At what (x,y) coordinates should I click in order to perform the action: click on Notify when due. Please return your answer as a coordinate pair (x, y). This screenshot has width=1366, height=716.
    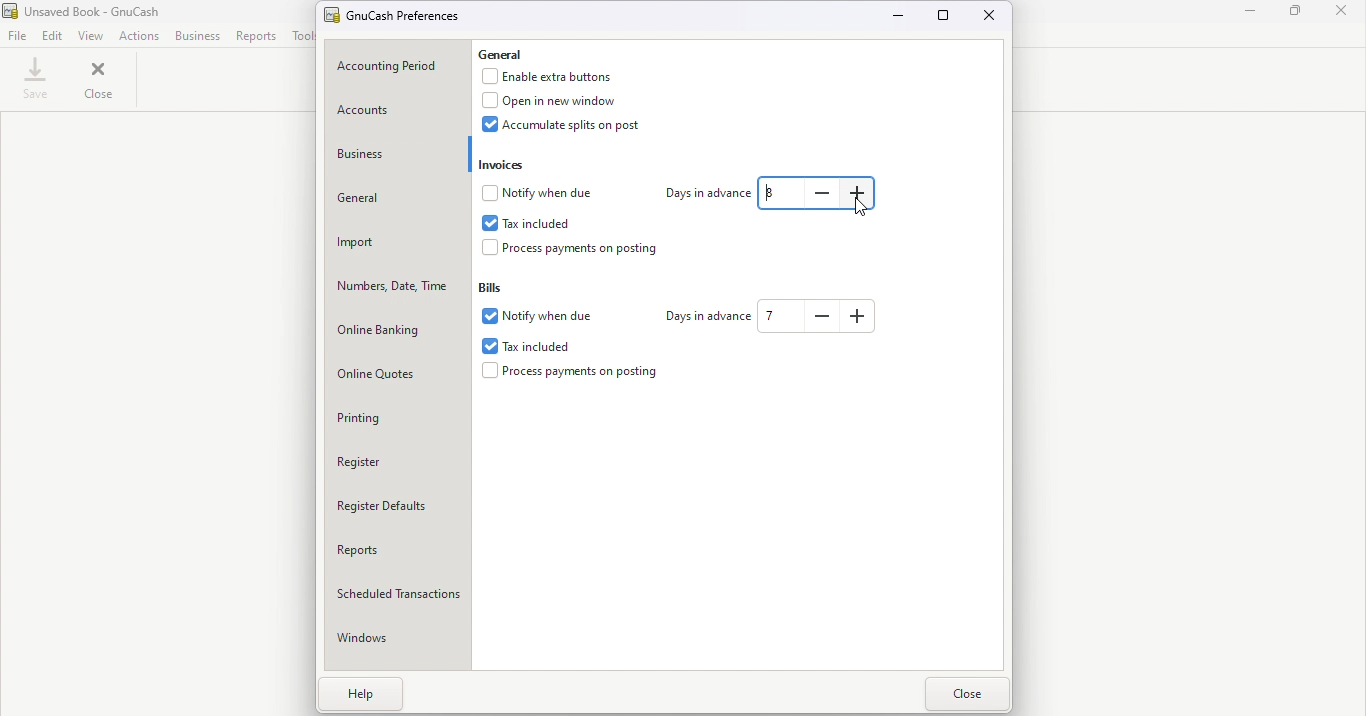
    Looking at the image, I should click on (541, 192).